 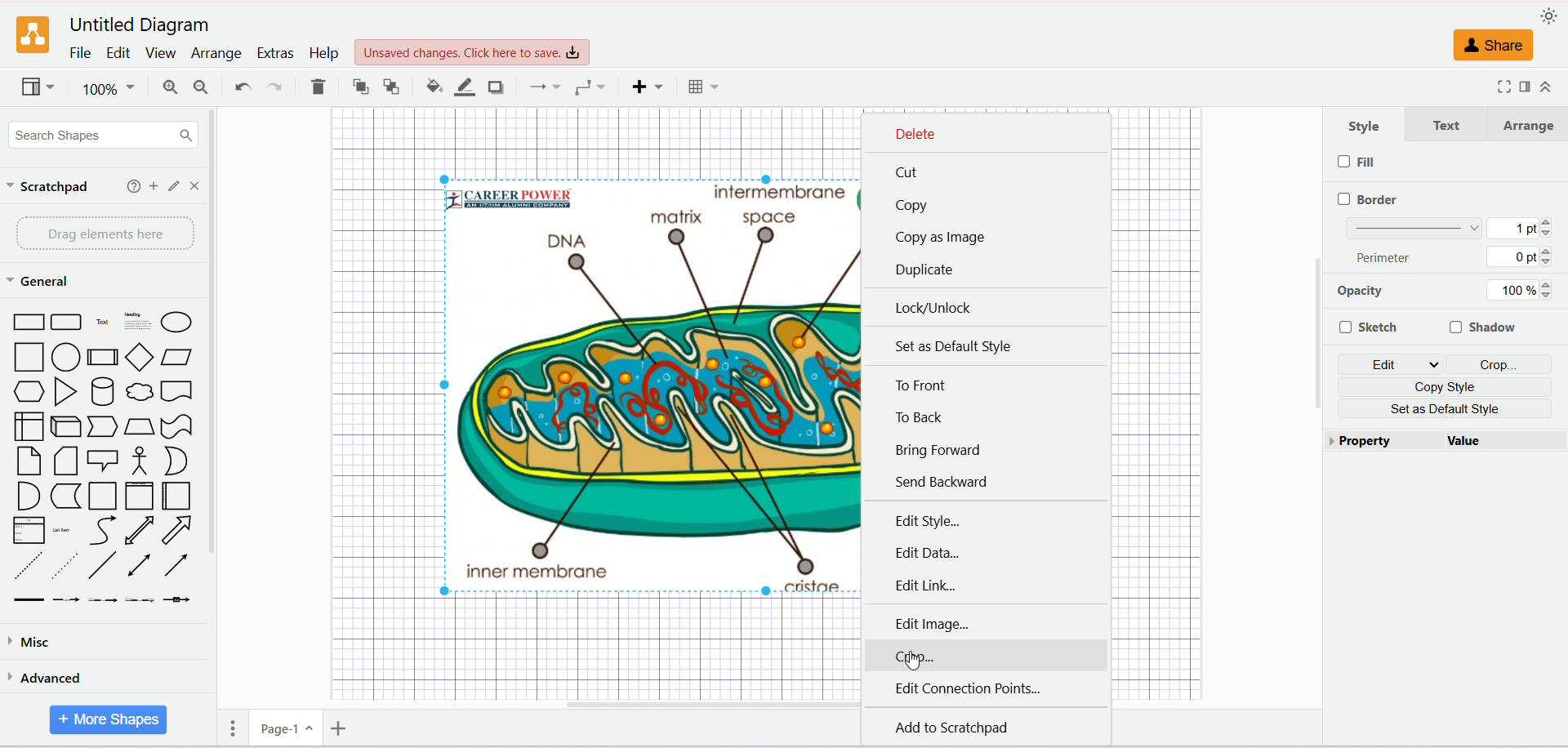 I want to click on Vertical Scroll Bar, so click(x=1313, y=401).